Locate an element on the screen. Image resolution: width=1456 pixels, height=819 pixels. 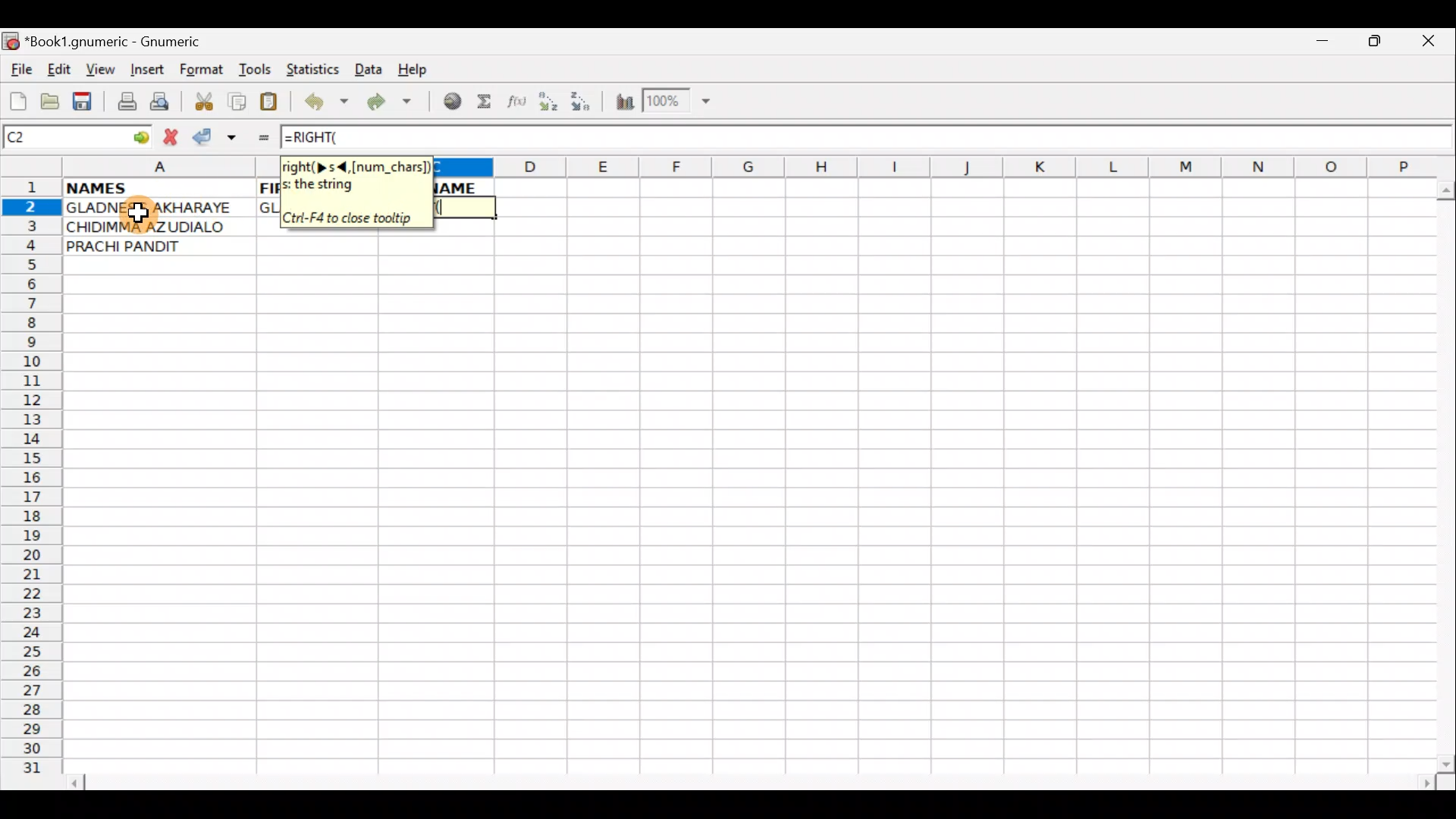
Undo last action is located at coordinates (328, 104).